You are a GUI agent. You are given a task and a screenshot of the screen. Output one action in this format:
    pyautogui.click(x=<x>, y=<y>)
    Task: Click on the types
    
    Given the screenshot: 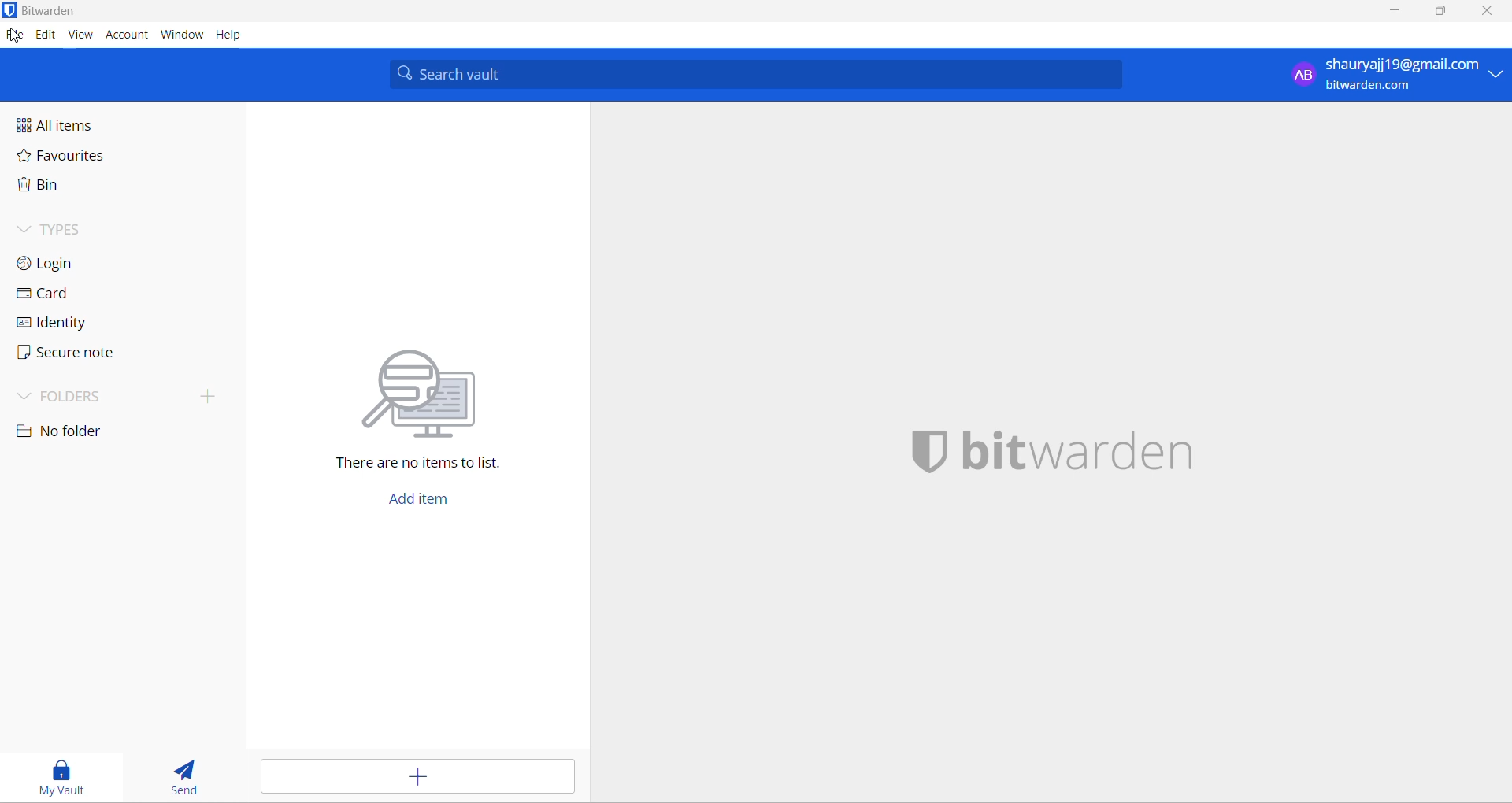 What is the action you would take?
    pyautogui.click(x=106, y=229)
    